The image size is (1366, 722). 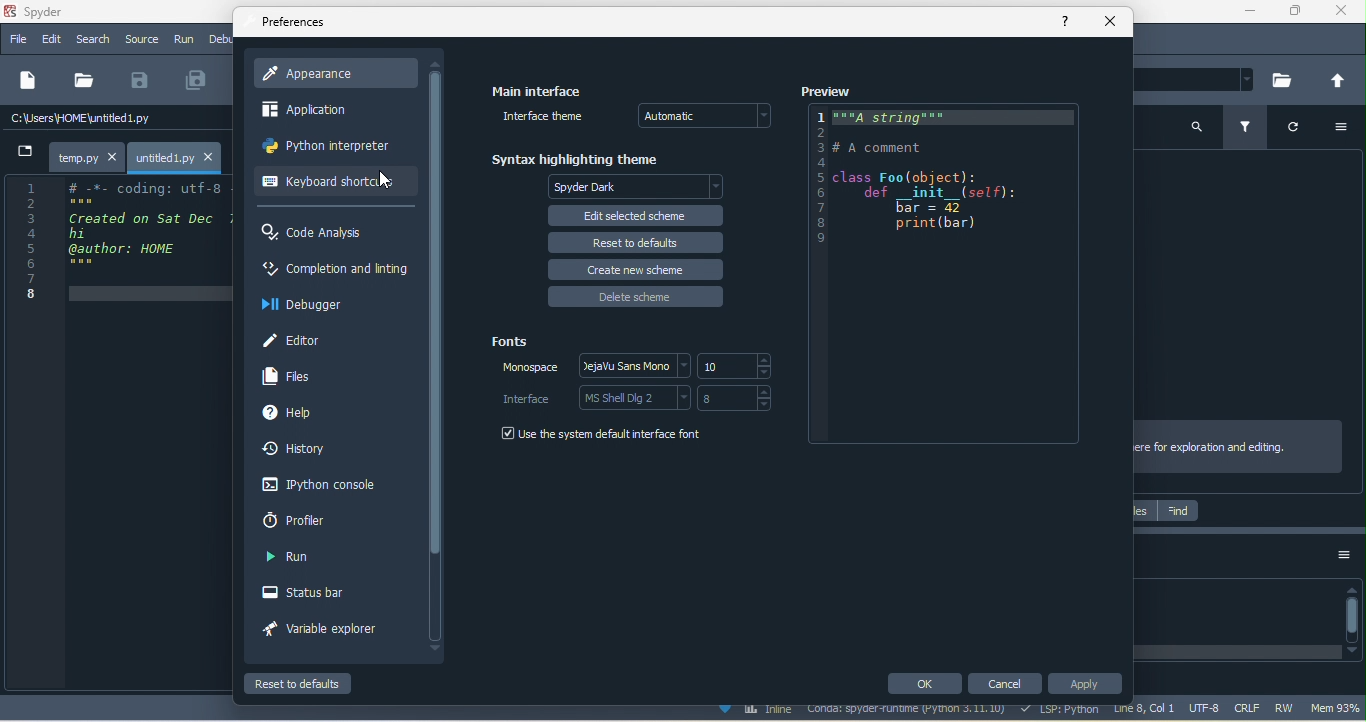 What do you see at coordinates (1286, 707) in the screenshot?
I see `rw` at bounding box center [1286, 707].